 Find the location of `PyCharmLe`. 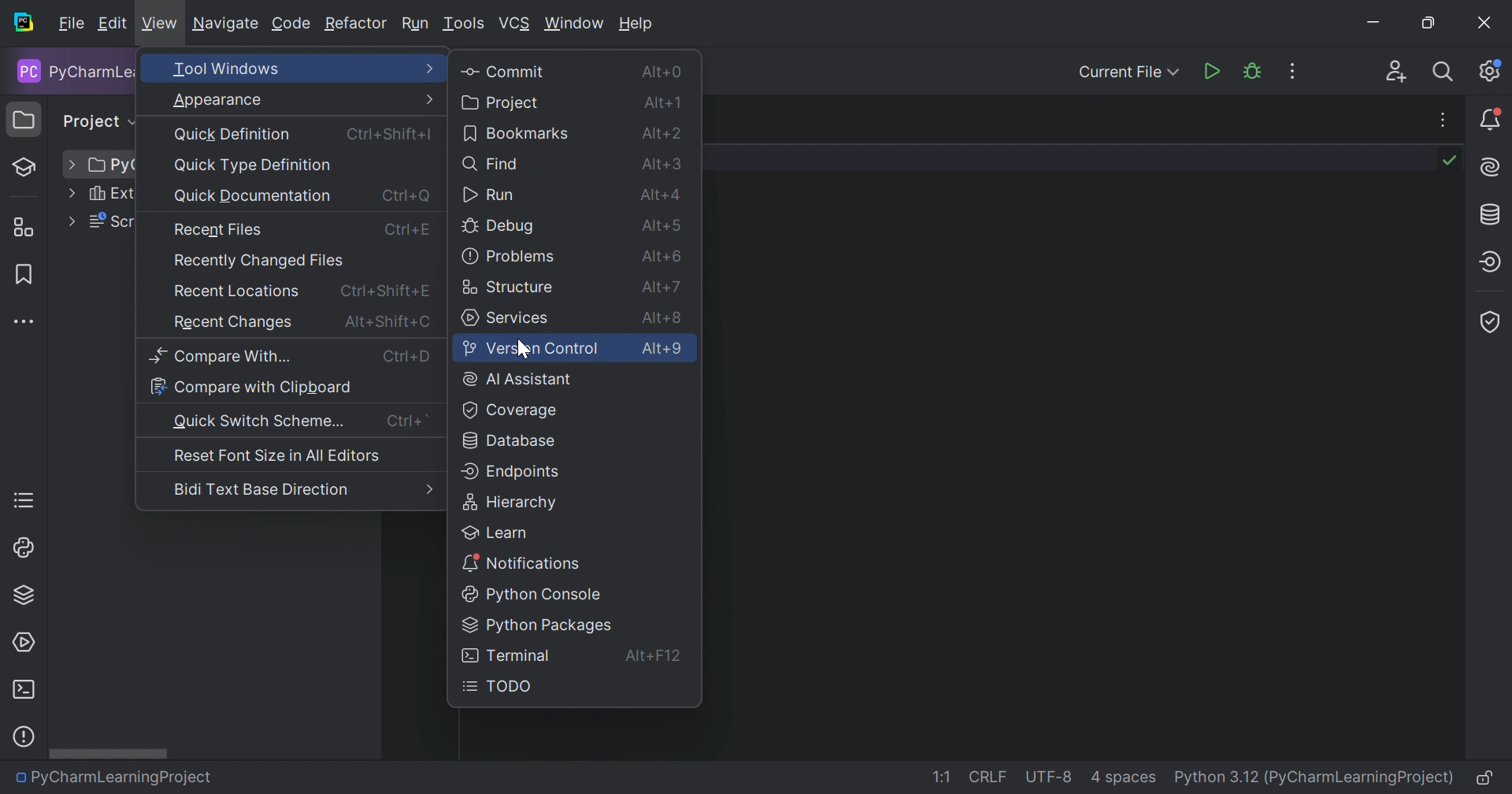

PyCharmLe is located at coordinates (72, 72).